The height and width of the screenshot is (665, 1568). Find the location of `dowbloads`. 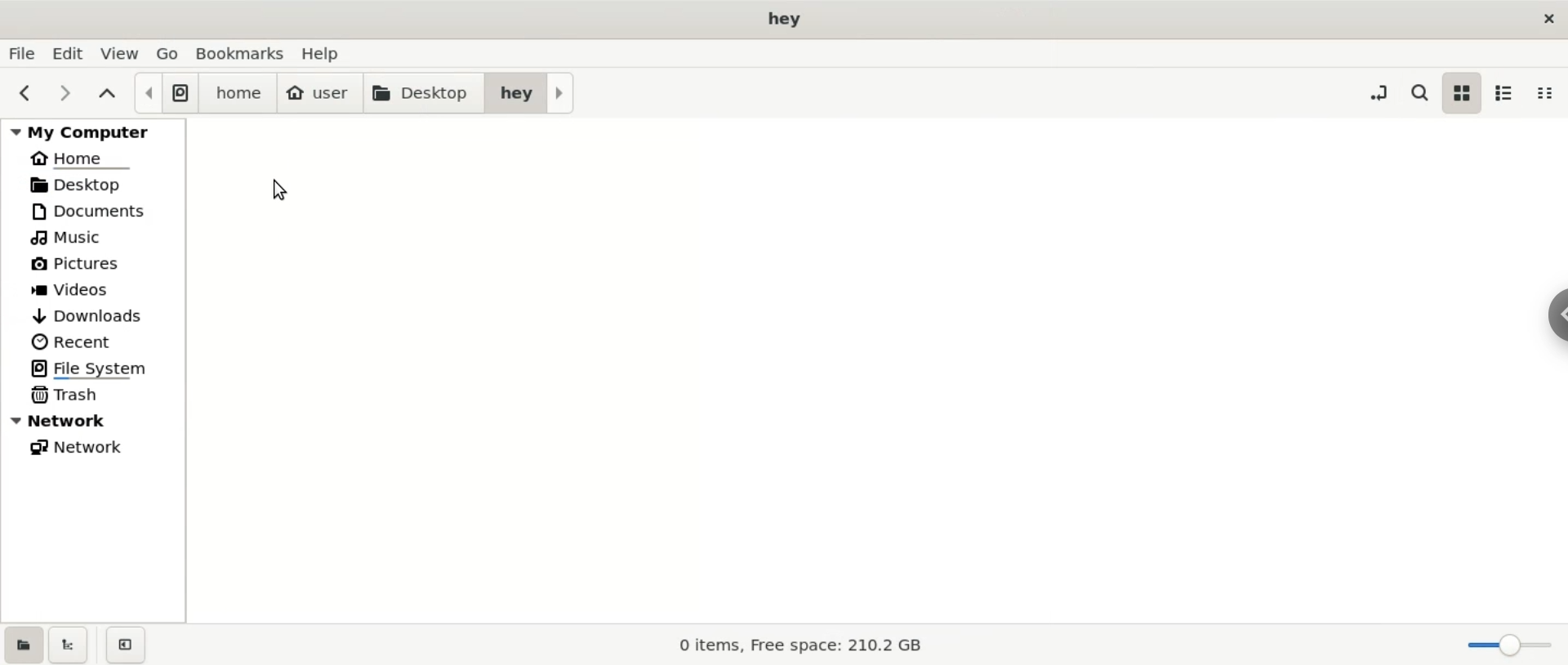

dowbloads is located at coordinates (94, 314).